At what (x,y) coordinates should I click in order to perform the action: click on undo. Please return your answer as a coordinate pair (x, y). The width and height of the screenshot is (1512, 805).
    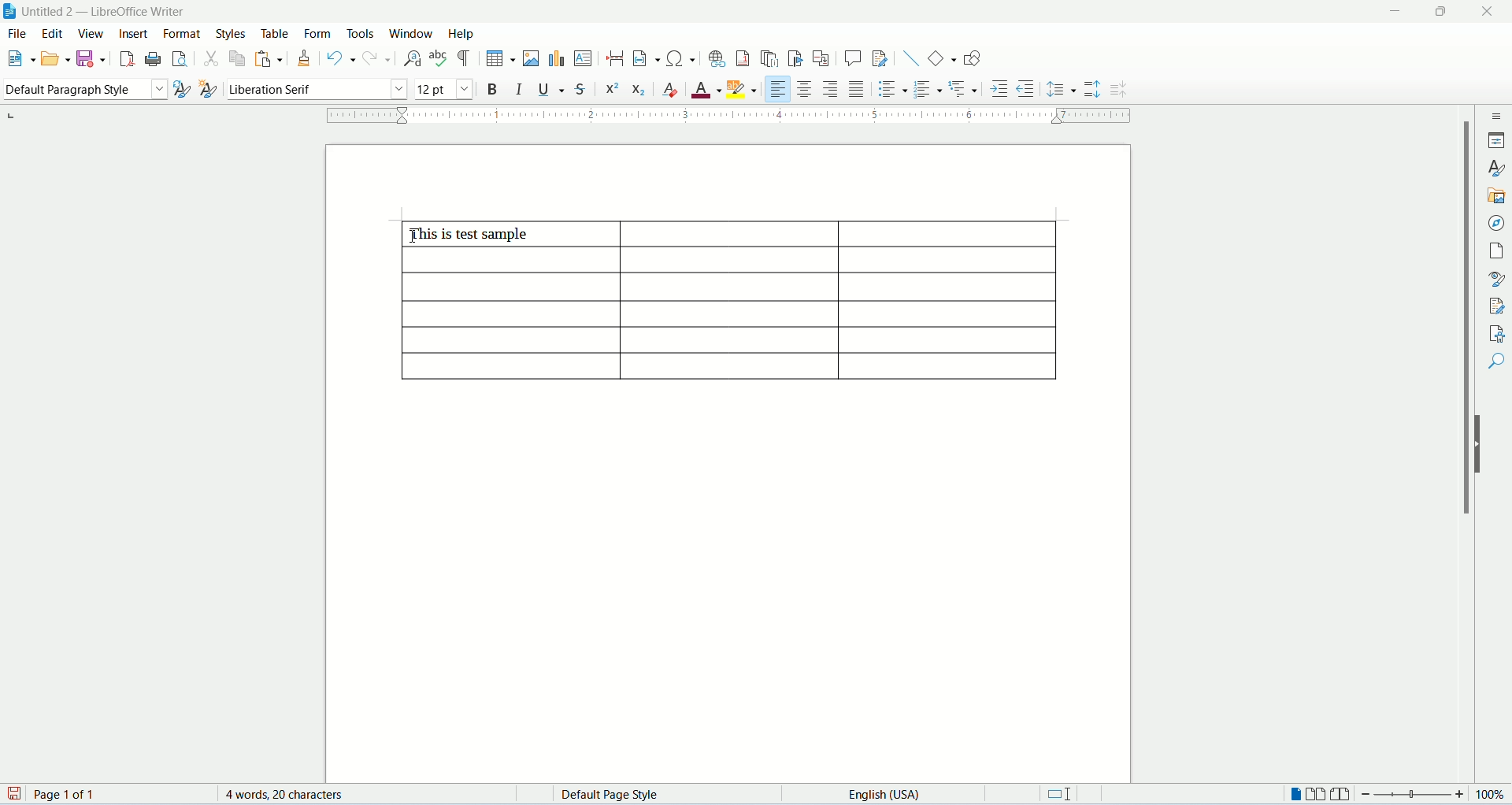
    Looking at the image, I should click on (342, 57).